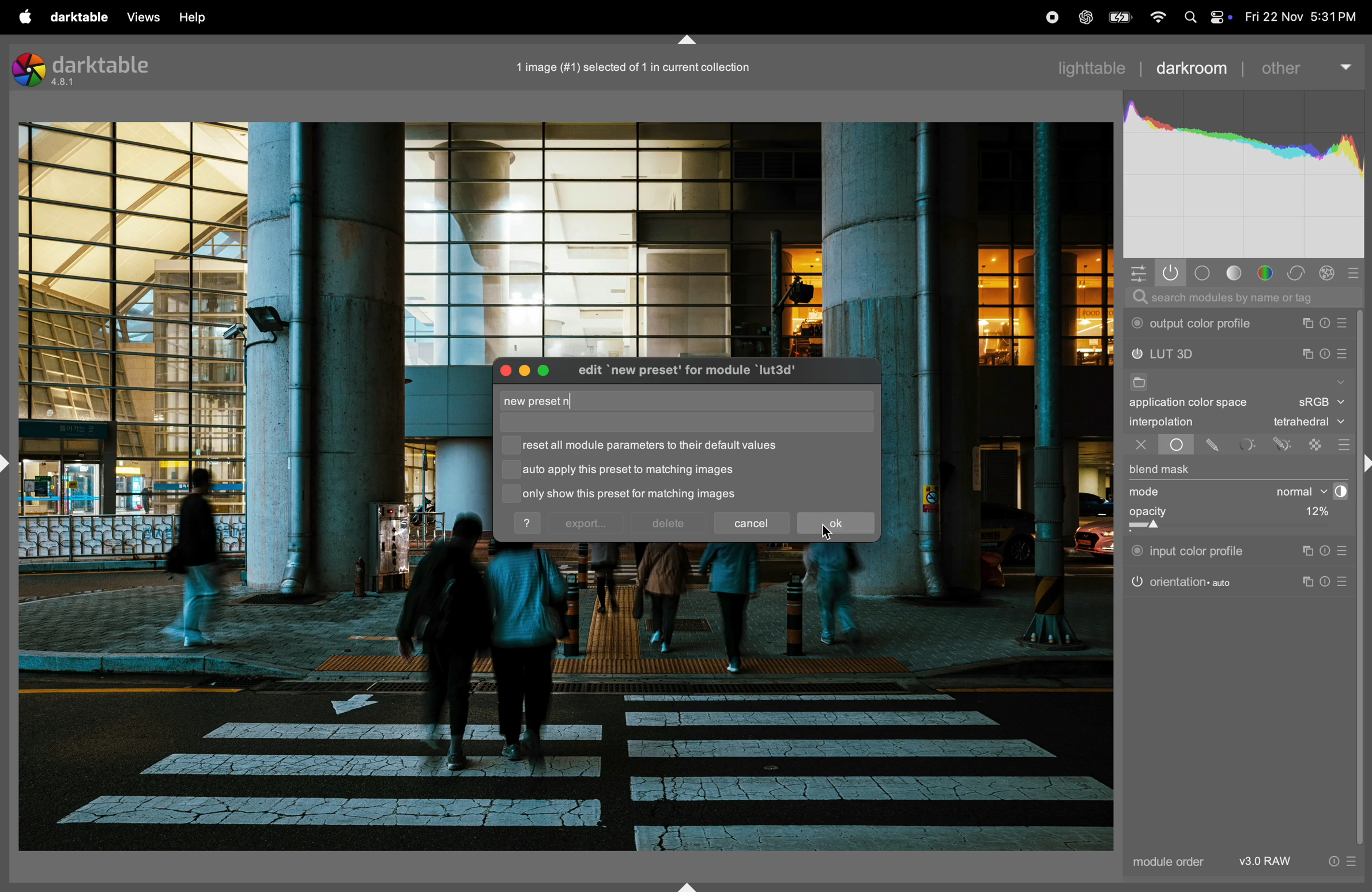 This screenshot has height=892, width=1372. I want to click on shift+ctrl+t, so click(685, 40).